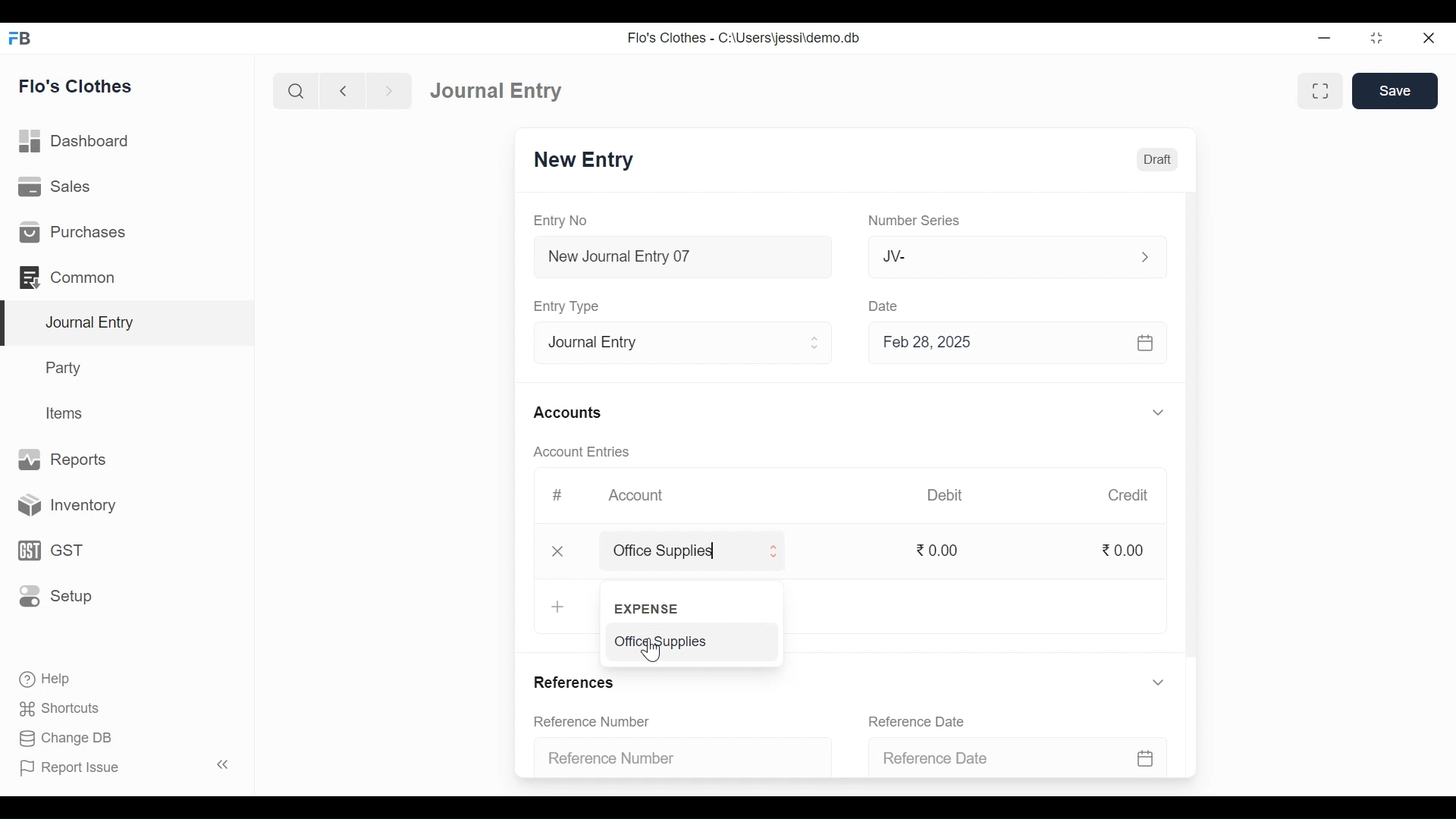 This screenshot has width=1456, height=819. What do you see at coordinates (296, 92) in the screenshot?
I see `Search` at bounding box center [296, 92].